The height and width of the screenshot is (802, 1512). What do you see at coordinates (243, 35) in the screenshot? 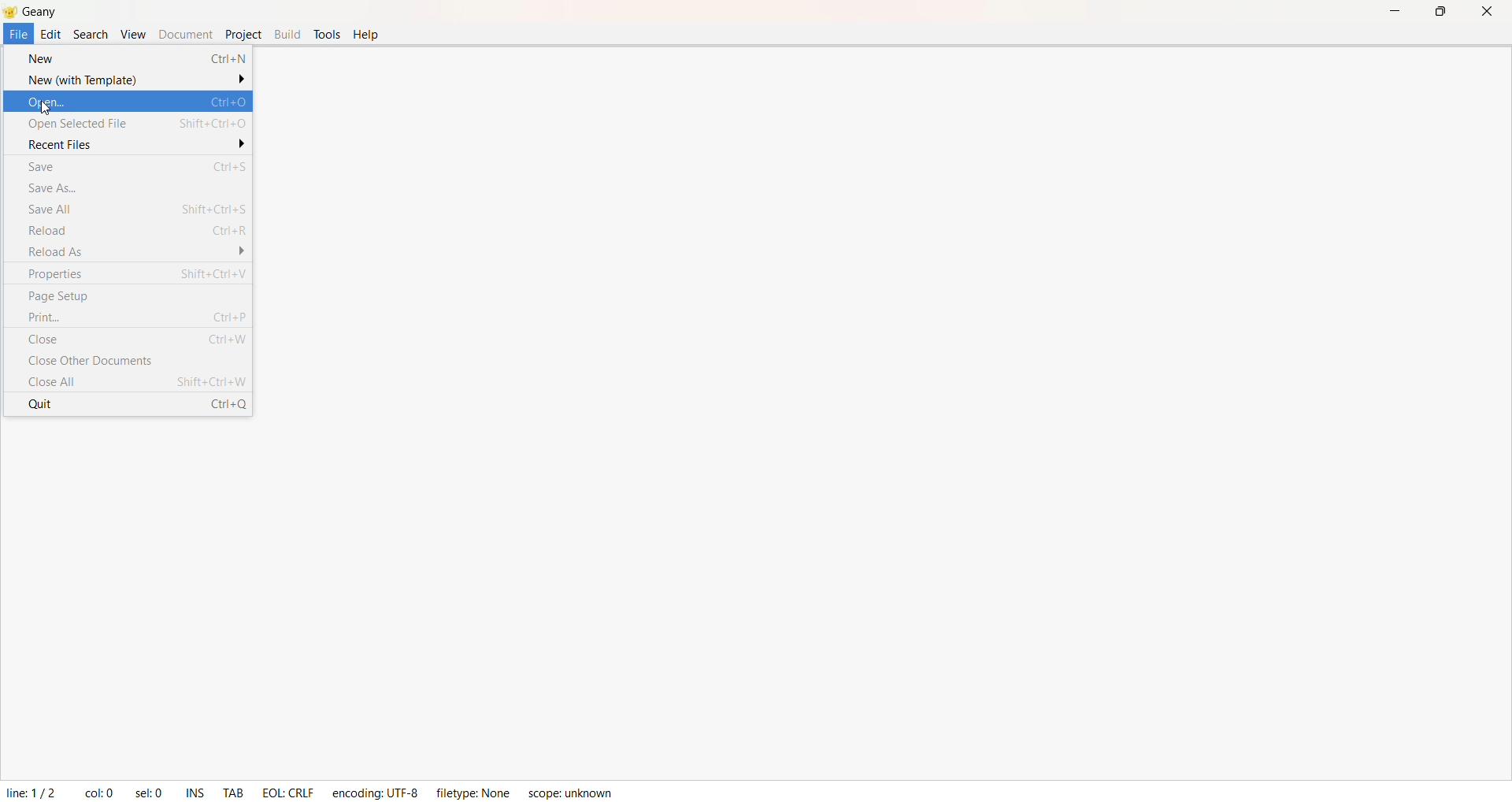
I see `Project` at bounding box center [243, 35].